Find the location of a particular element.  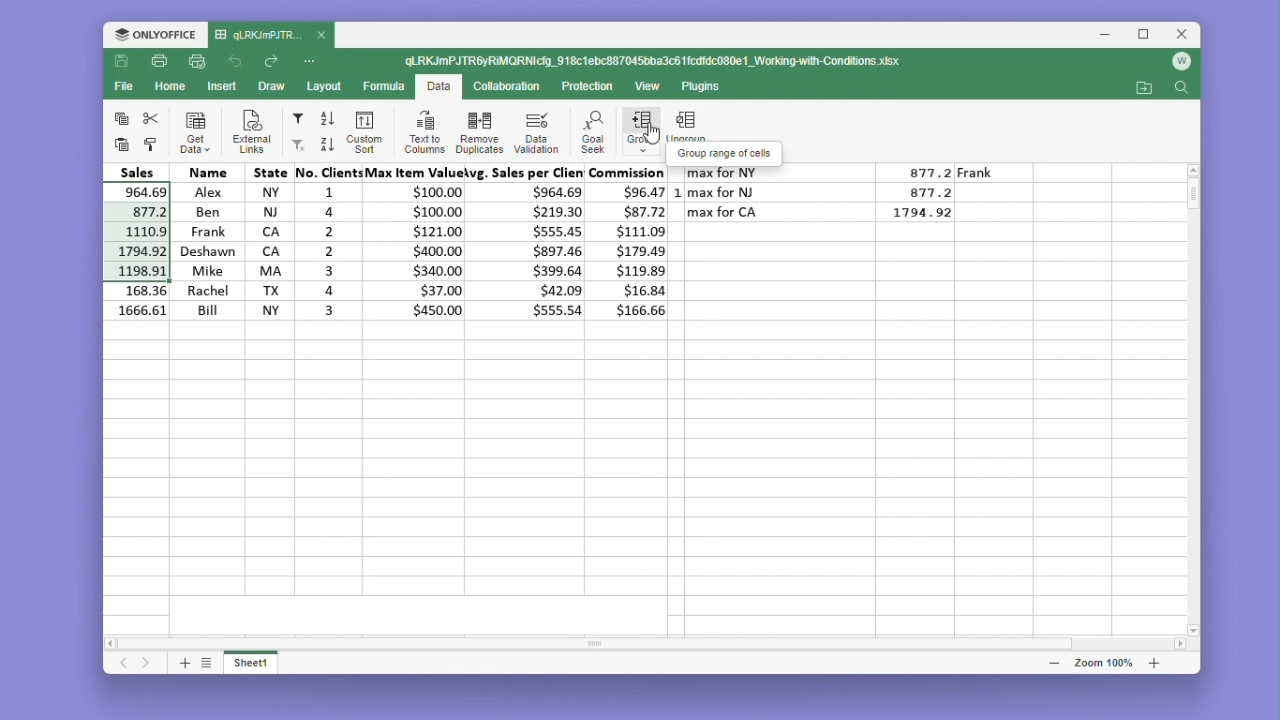

custom sort is located at coordinates (362, 132).